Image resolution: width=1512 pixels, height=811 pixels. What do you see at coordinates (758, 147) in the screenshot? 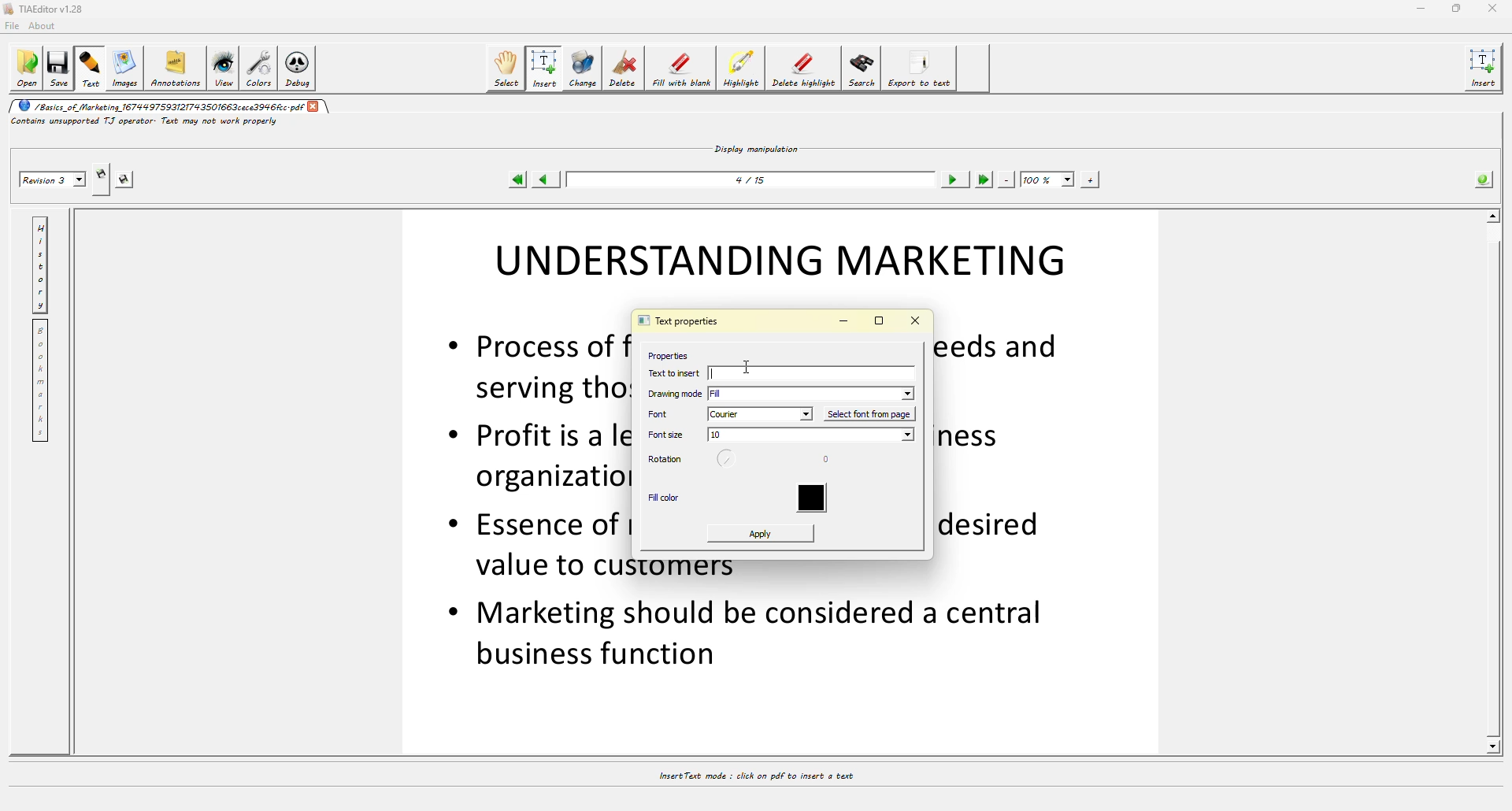
I see `display manipulation` at bounding box center [758, 147].